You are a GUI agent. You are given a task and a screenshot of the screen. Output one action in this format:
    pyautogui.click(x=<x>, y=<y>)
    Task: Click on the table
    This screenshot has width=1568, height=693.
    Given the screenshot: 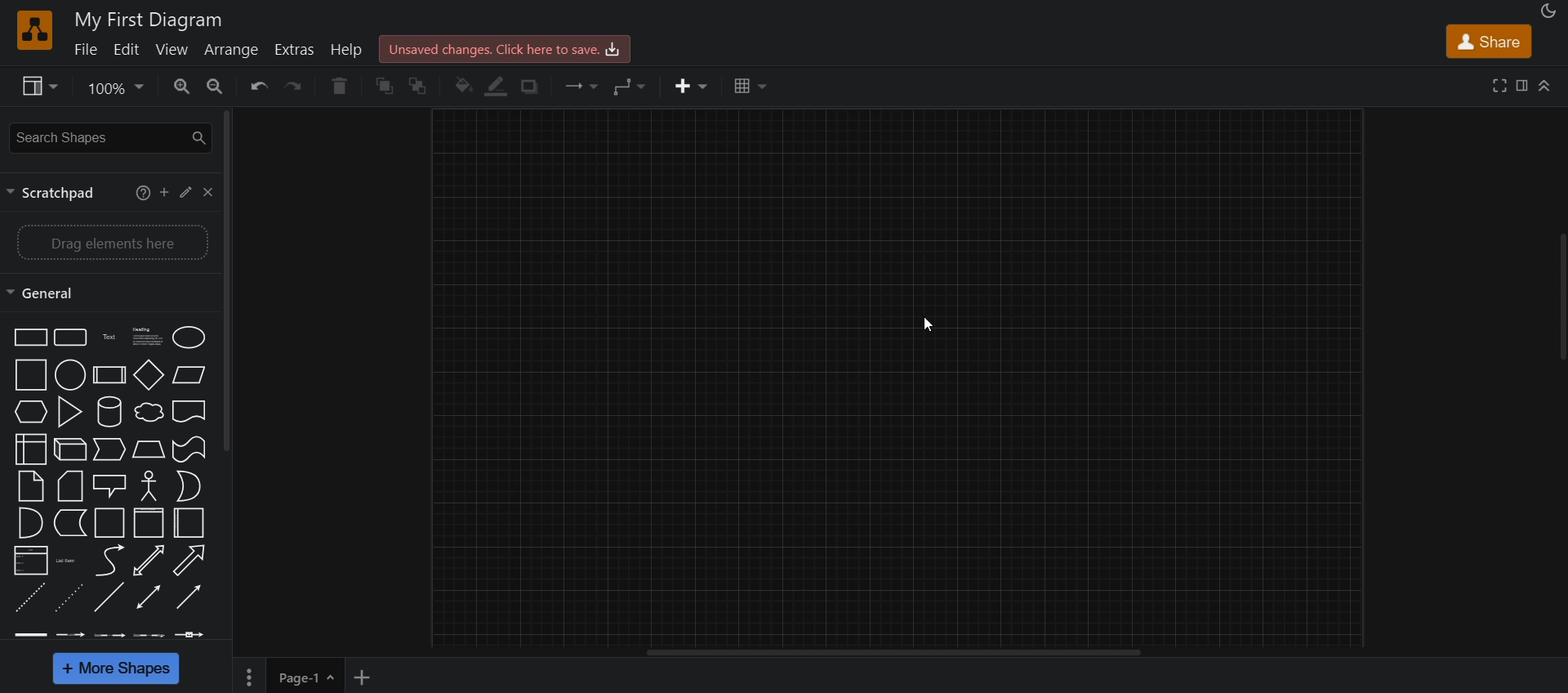 What is the action you would take?
    pyautogui.click(x=747, y=87)
    